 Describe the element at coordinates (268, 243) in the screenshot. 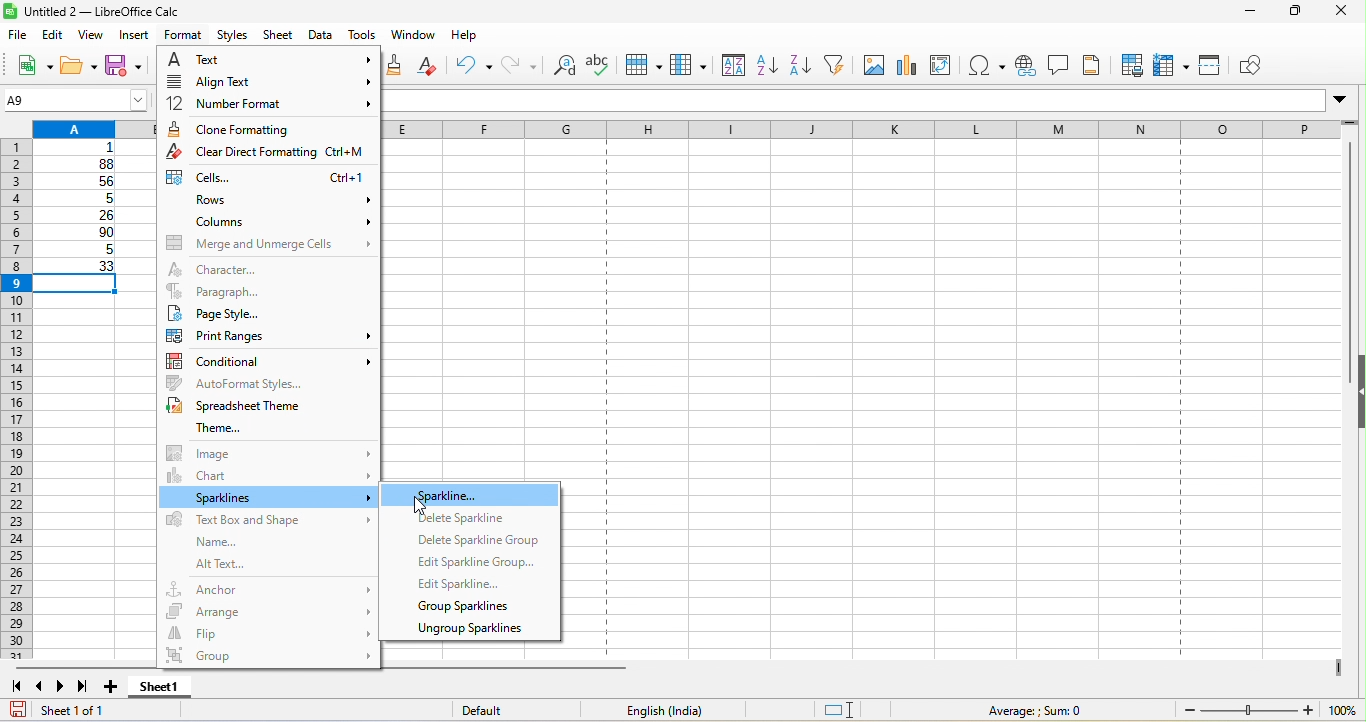

I see `merge unmerge cells` at that location.